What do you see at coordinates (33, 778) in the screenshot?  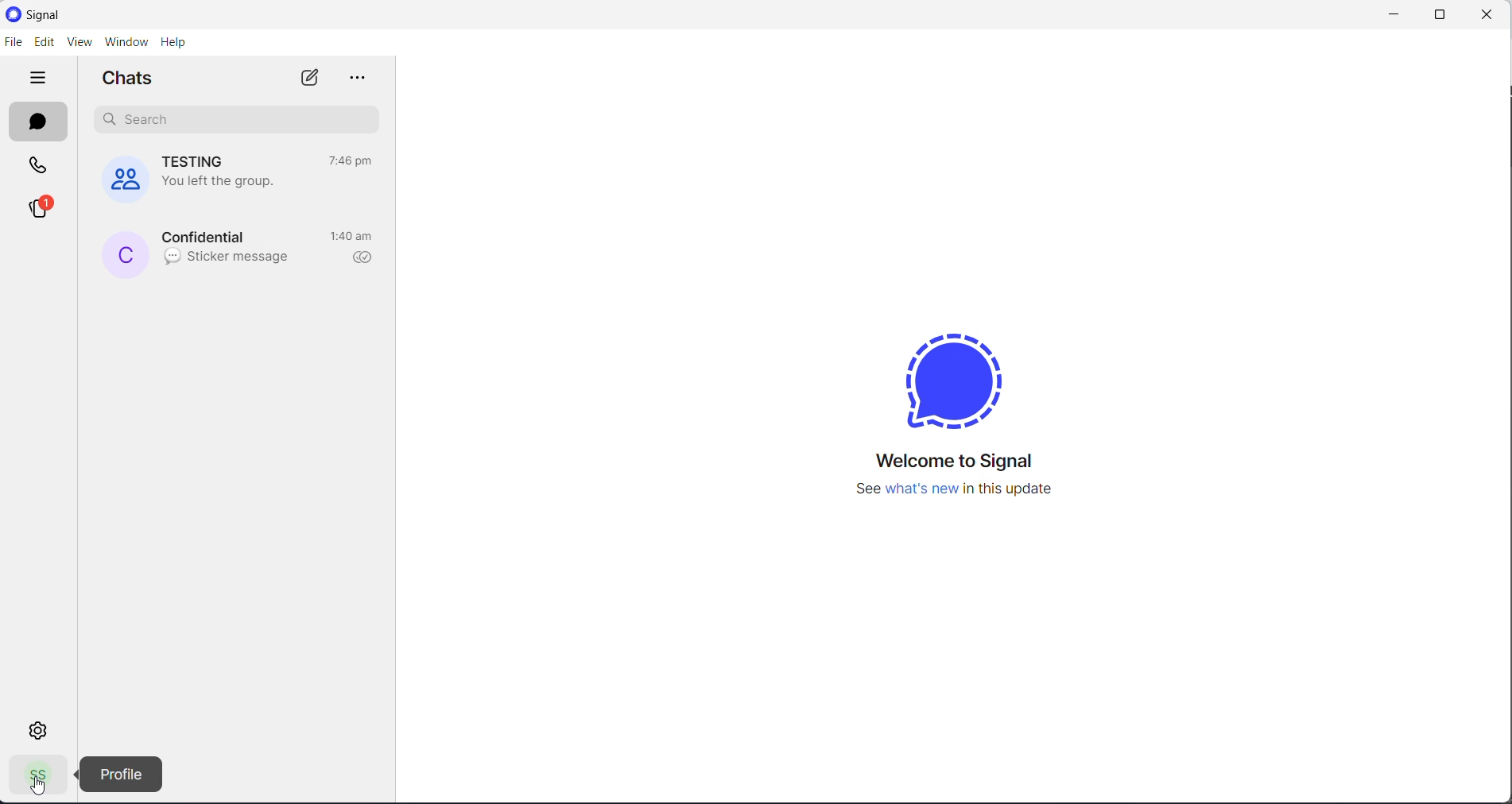 I see `profile` at bounding box center [33, 778].